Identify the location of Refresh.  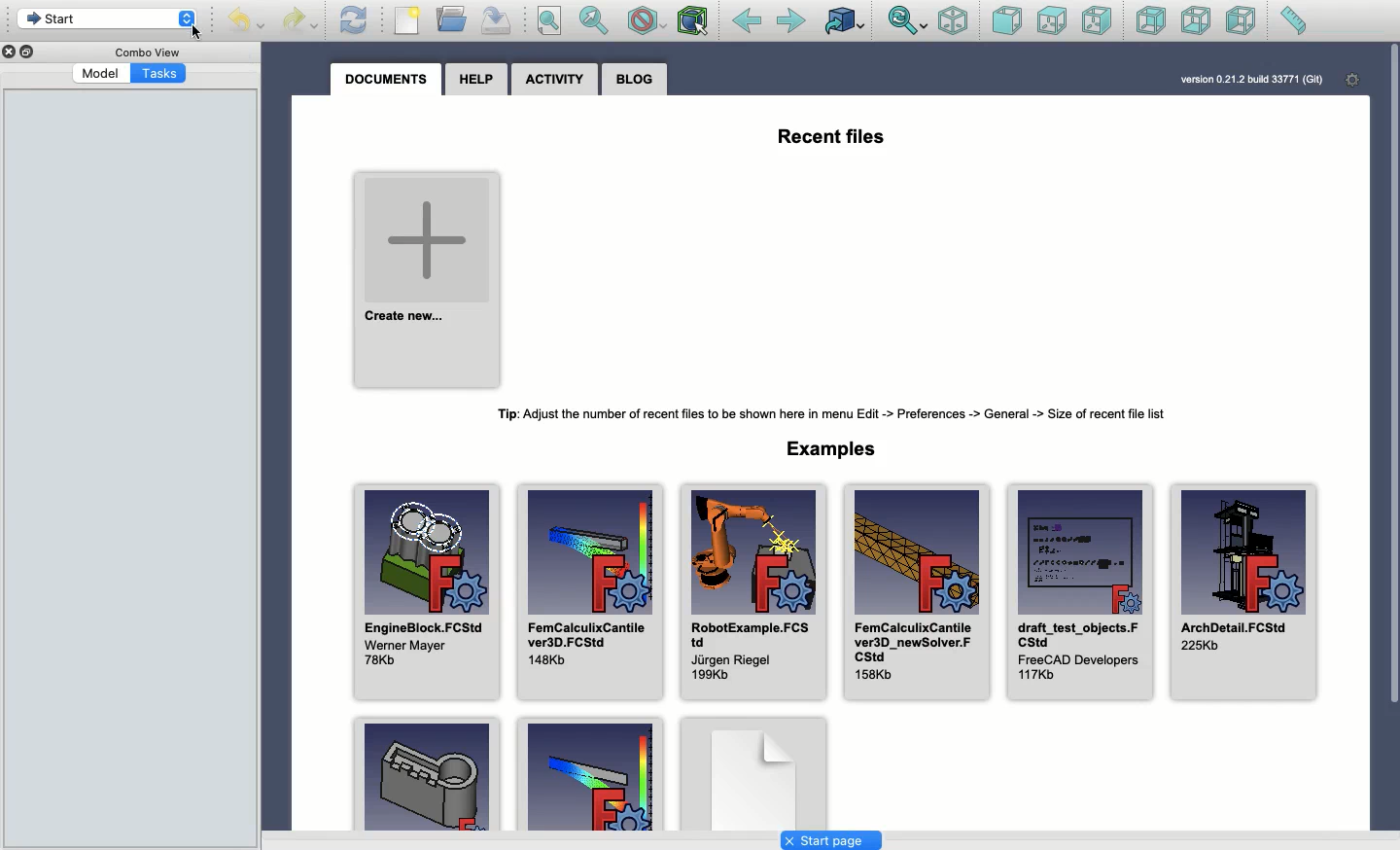
(353, 18).